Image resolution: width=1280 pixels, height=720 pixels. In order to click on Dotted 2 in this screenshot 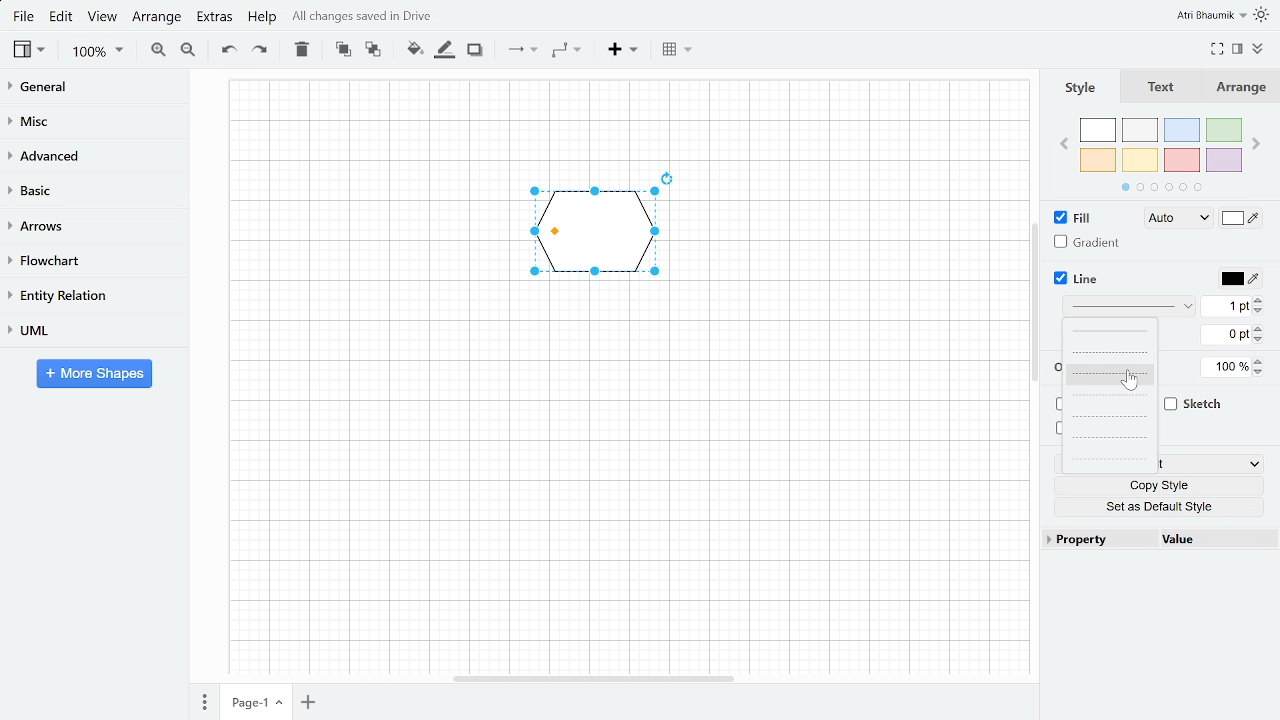, I will do `click(1110, 438)`.